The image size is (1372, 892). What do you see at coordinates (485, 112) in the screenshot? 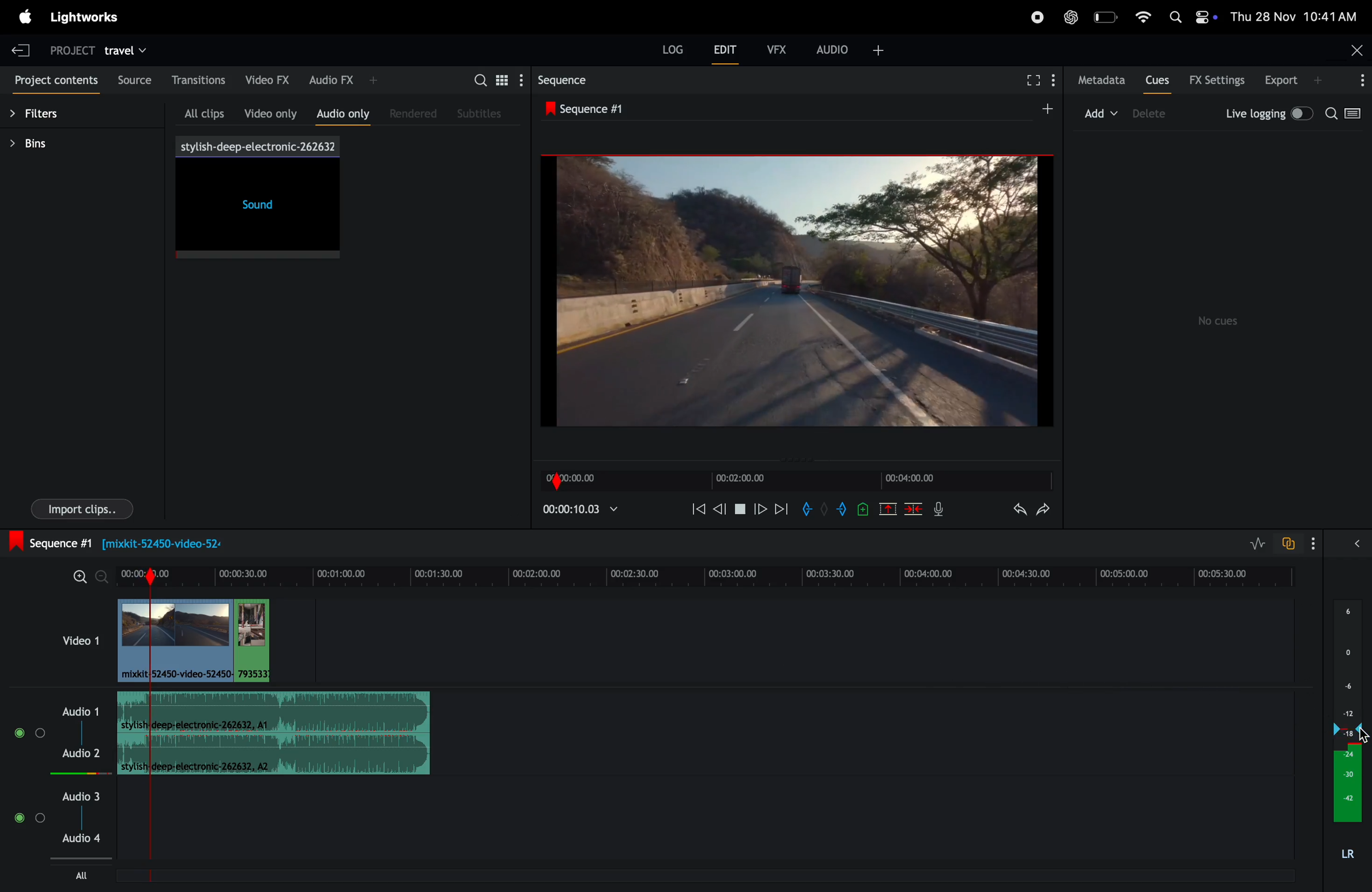
I see `sub titles` at bounding box center [485, 112].